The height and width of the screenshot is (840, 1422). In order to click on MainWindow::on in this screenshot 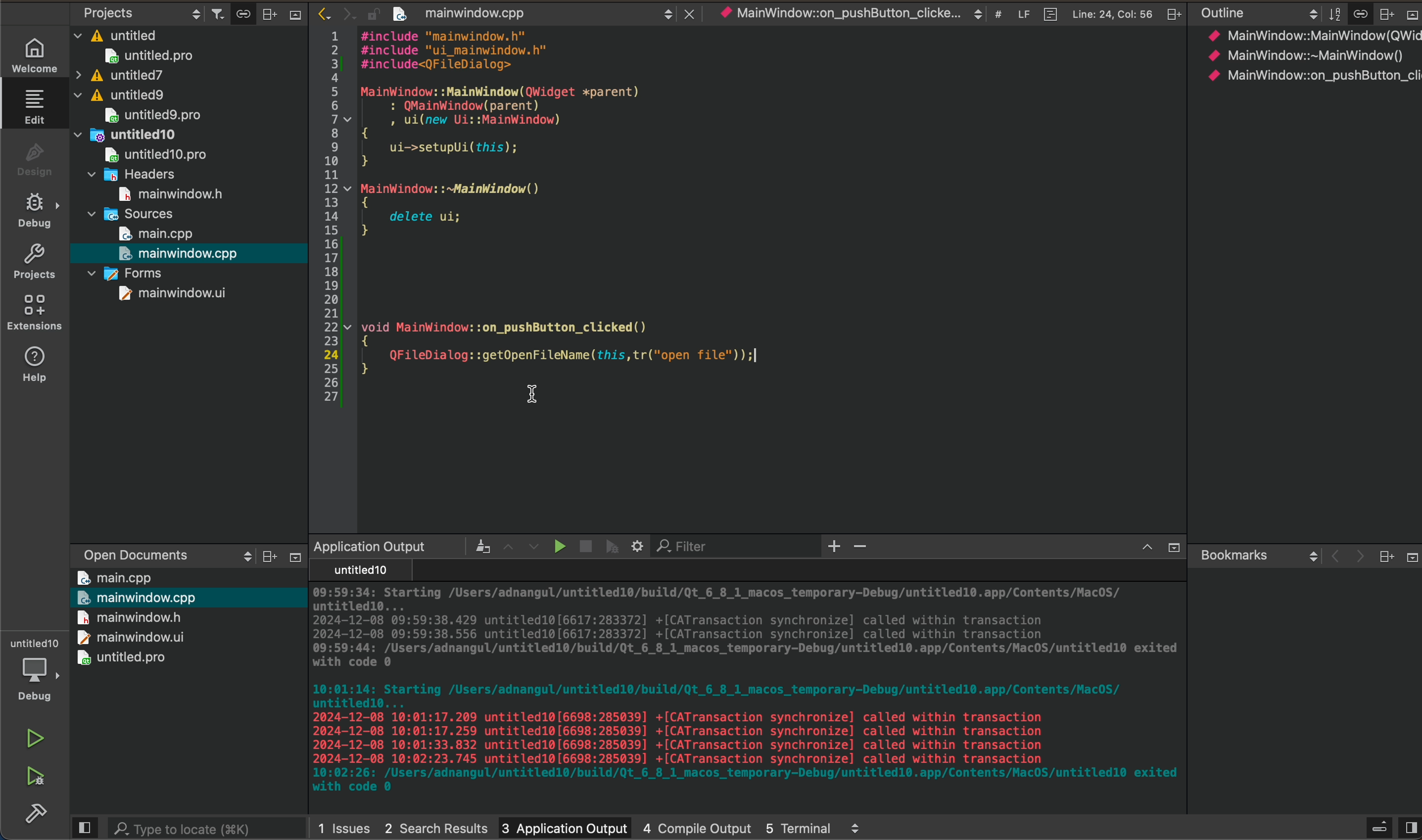, I will do `click(838, 15)`.